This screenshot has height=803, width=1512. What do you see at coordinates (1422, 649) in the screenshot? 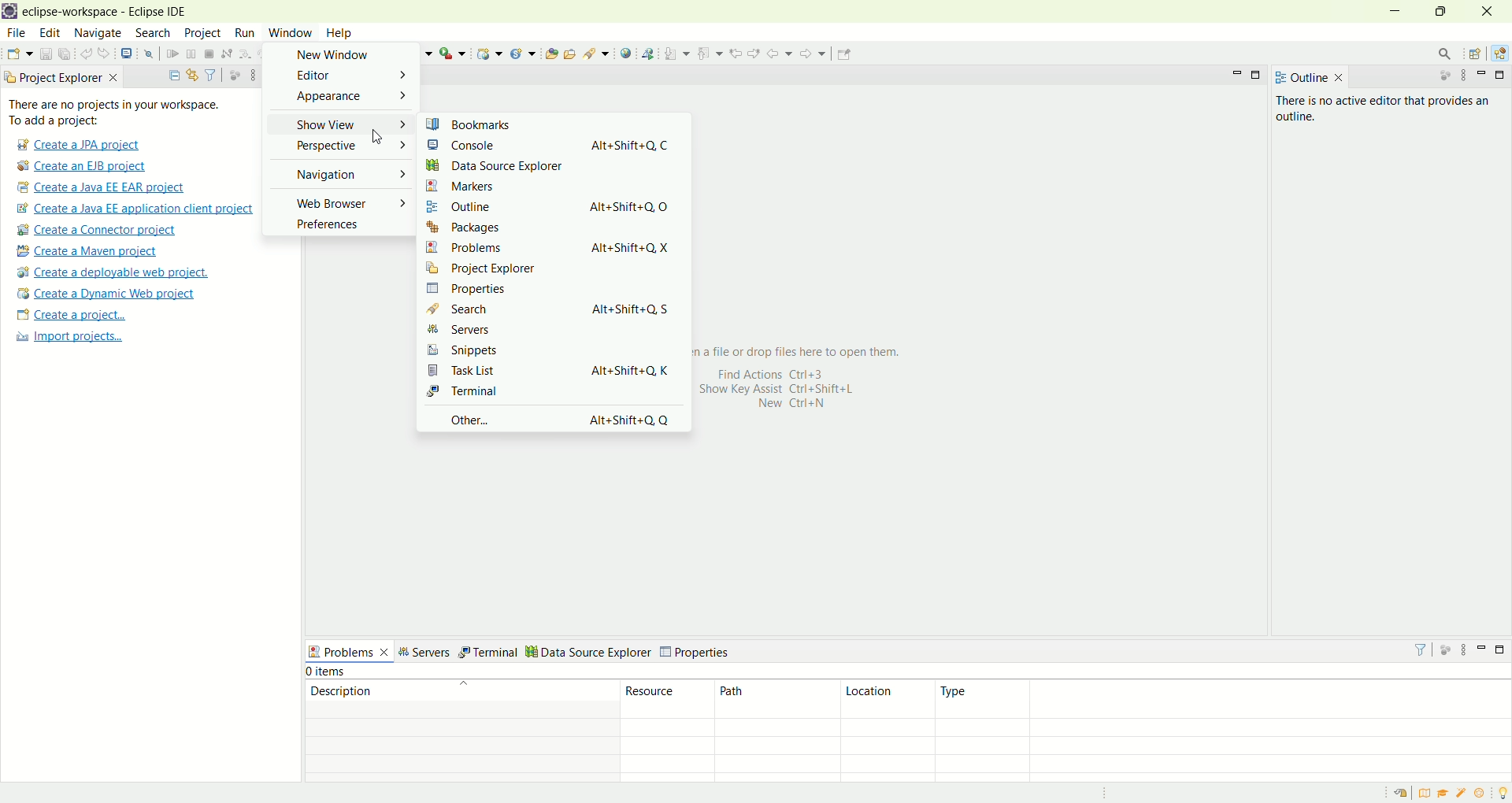
I see `filter` at bounding box center [1422, 649].